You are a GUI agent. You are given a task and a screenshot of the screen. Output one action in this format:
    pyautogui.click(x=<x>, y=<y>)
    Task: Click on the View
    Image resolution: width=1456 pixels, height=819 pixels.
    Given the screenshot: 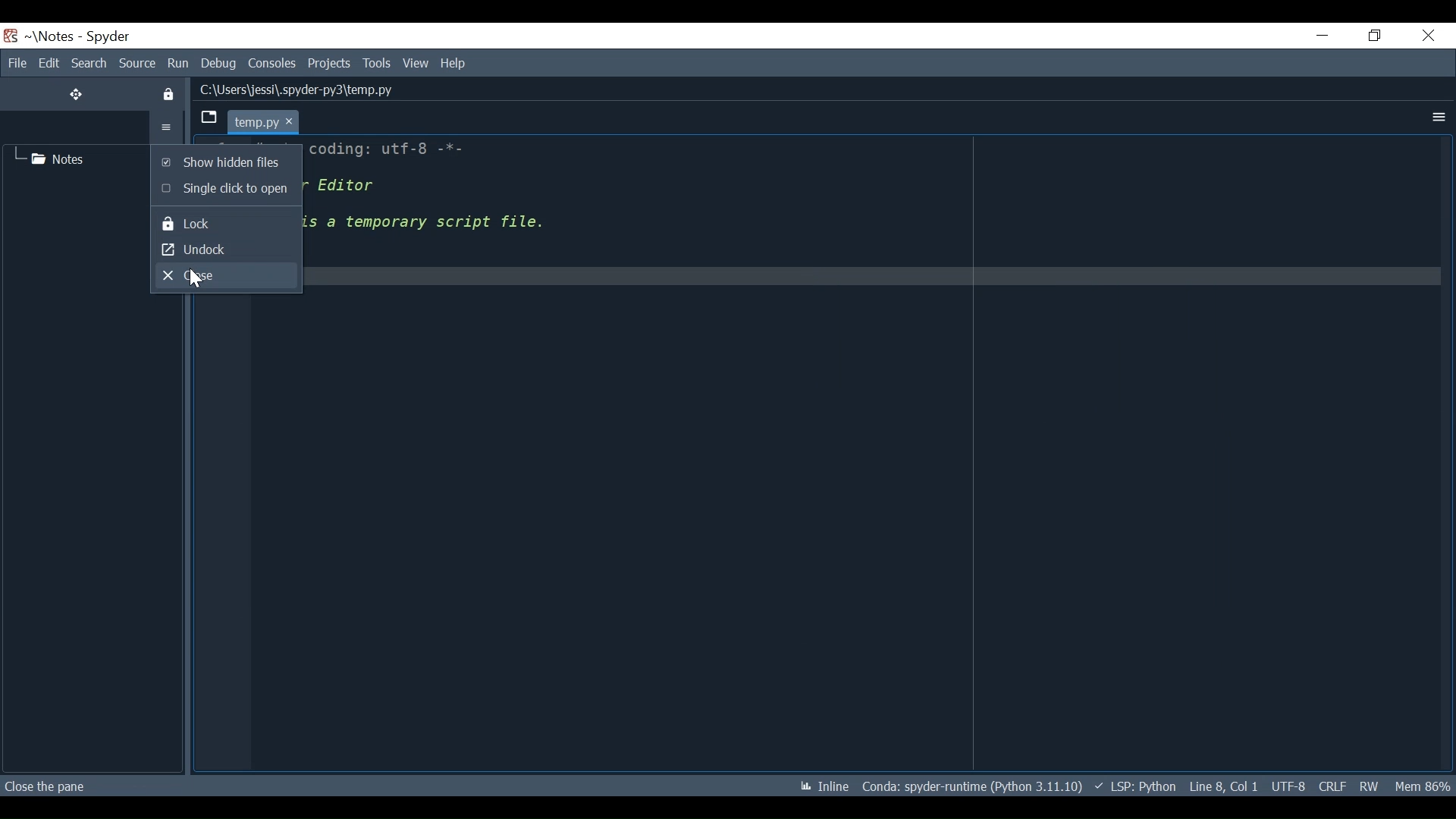 What is the action you would take?
    pyautogui.click(x=416, y=64)
    